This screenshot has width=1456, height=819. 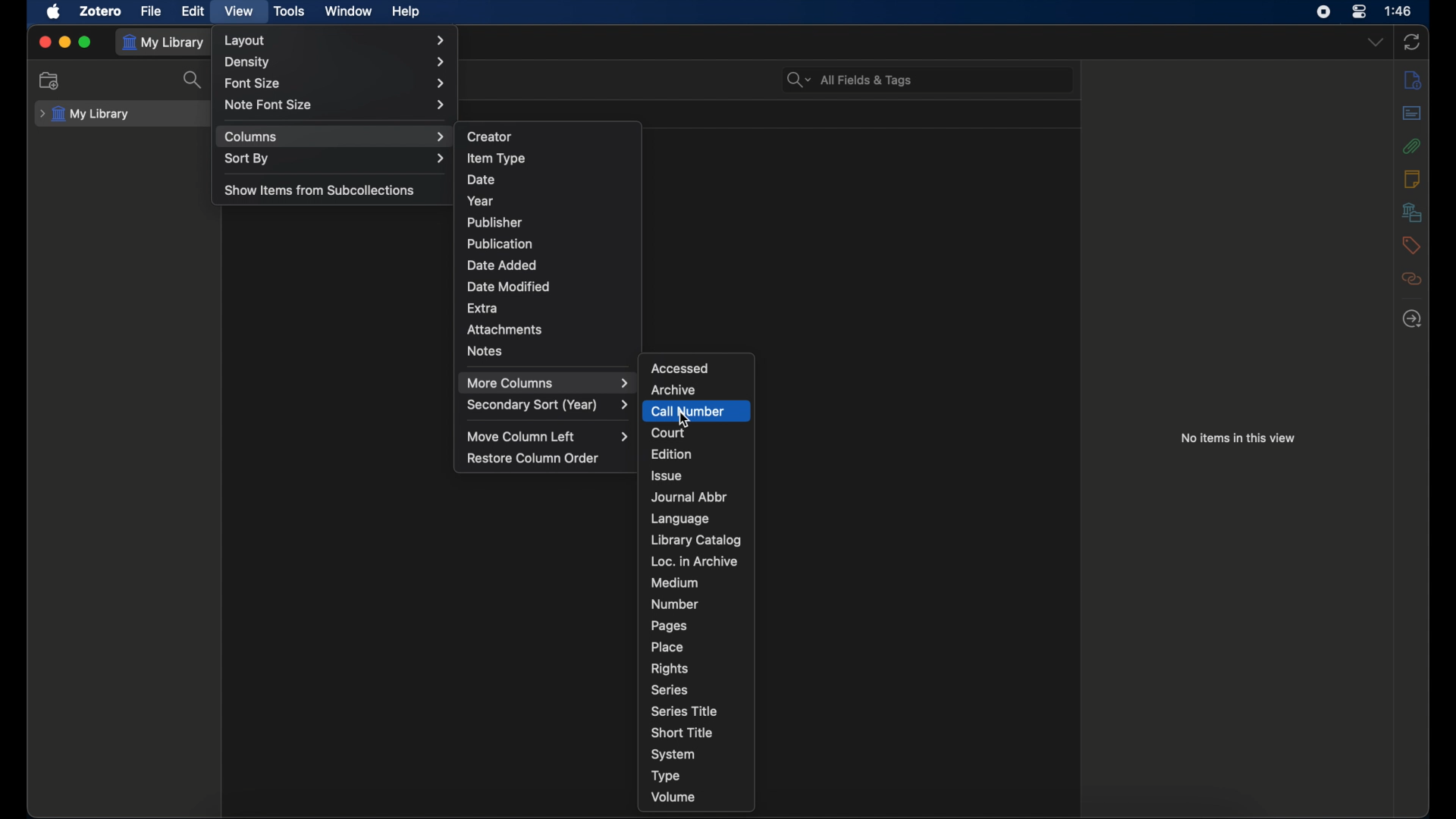 What do you see at coordinates (508, 287) in the screenshot?
I see `date modified` at bounding box center [508, 287].